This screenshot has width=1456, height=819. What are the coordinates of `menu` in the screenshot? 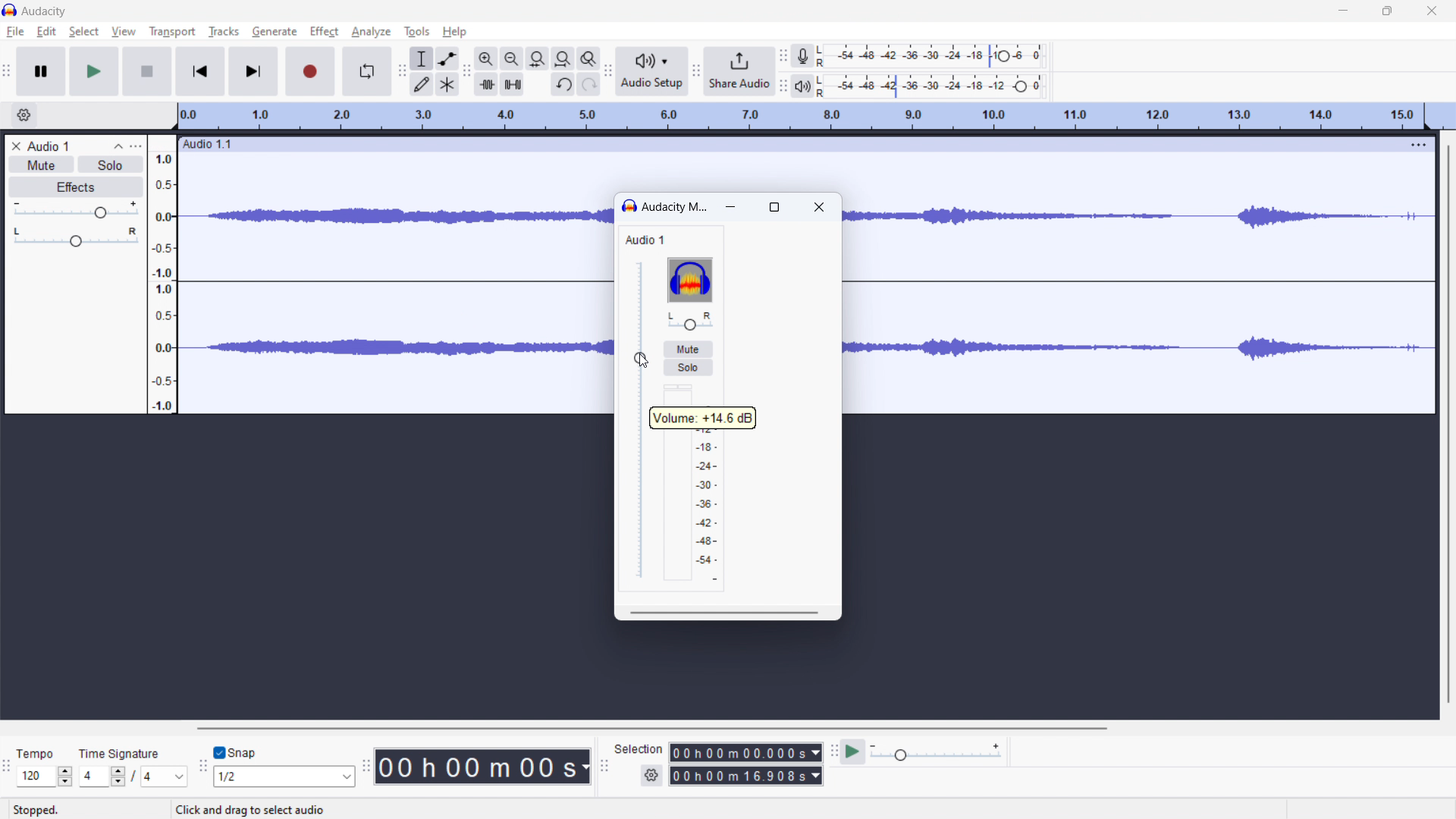 It's located at (1417, 144).